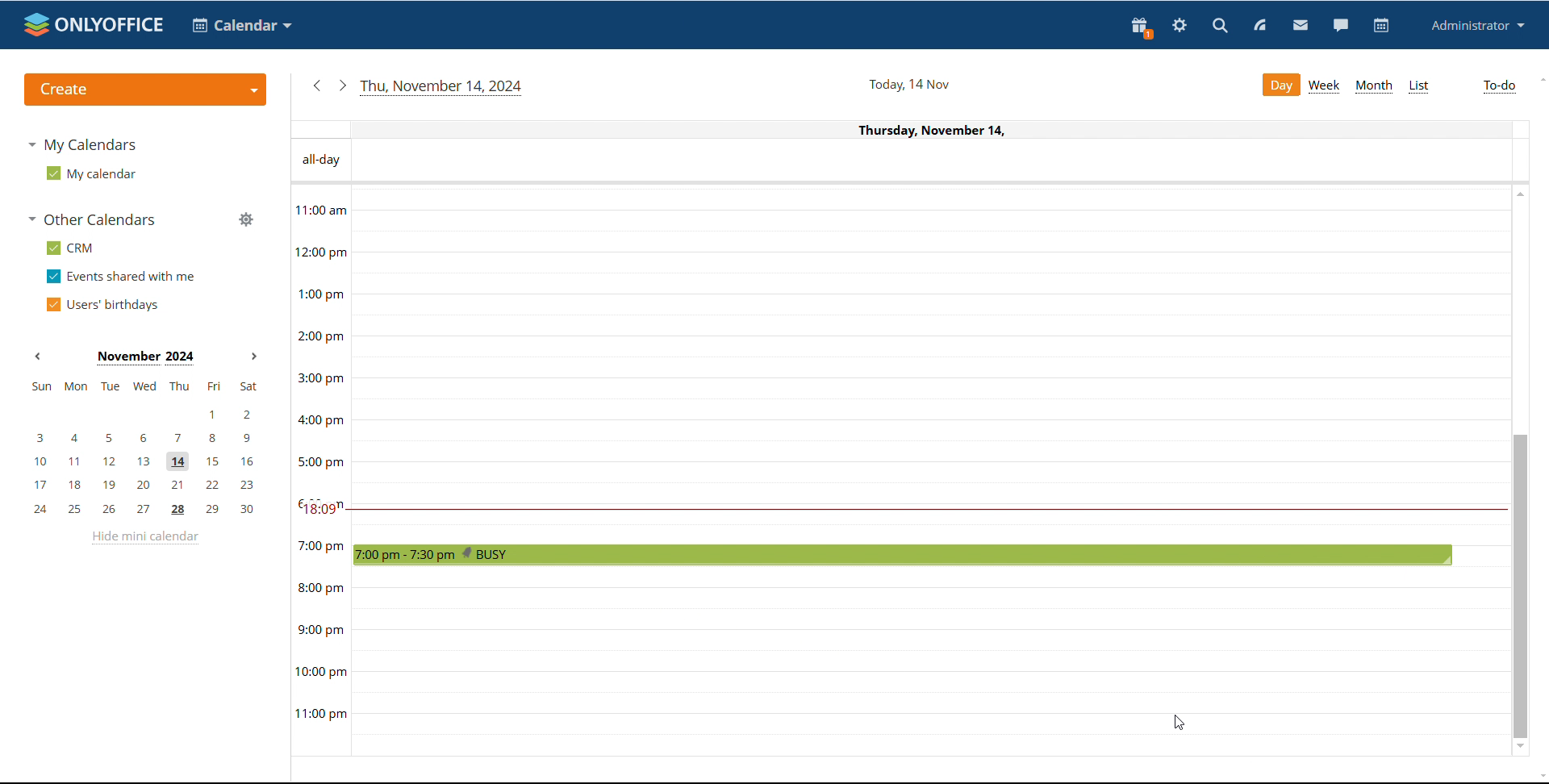 The image size is (1549, 784). I want to click on scroll up, so click(1518, 194).